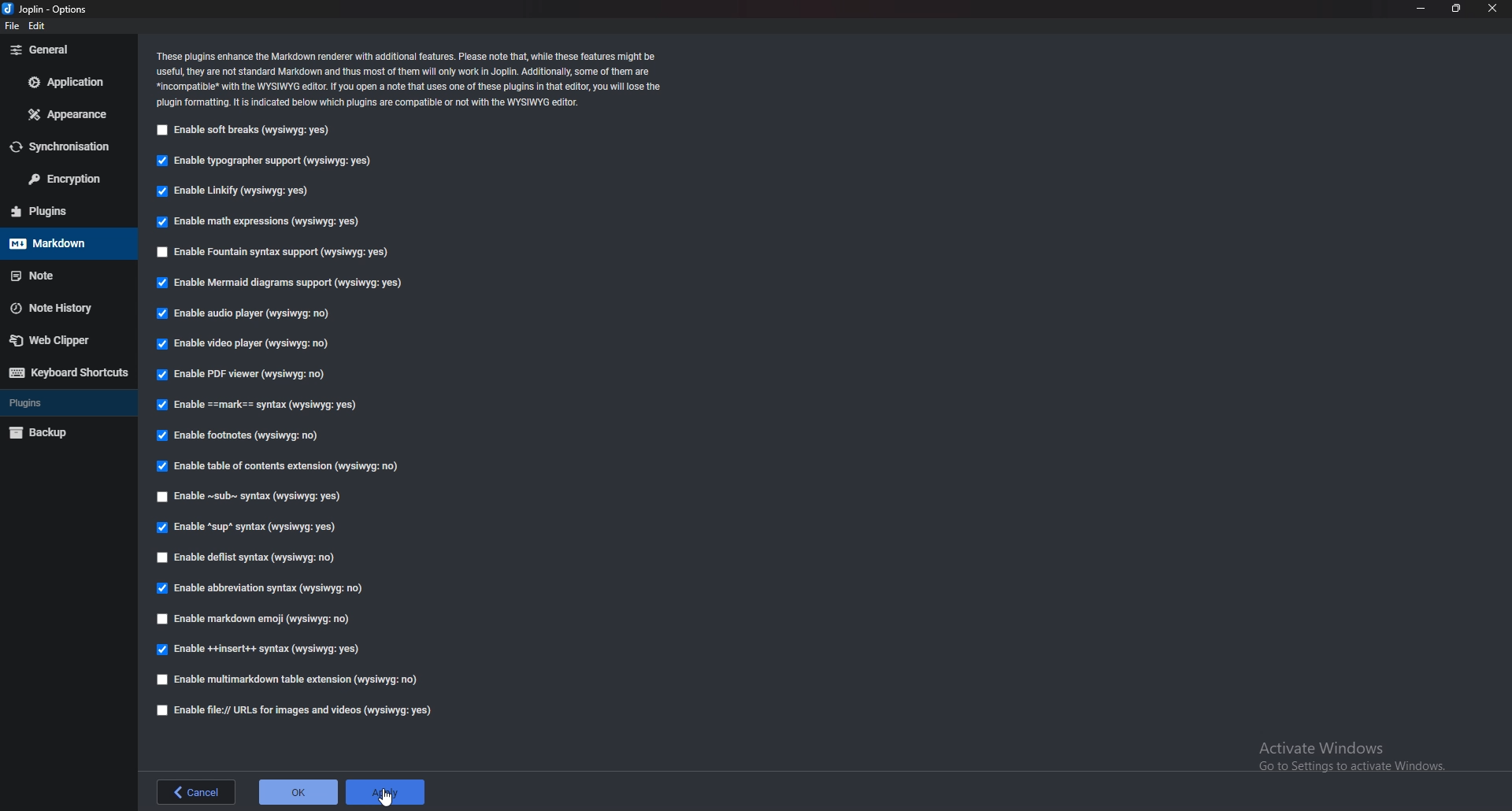  Describe the element at coordinates (1421, 9) in the screenshot. I see `minimize` at that location.